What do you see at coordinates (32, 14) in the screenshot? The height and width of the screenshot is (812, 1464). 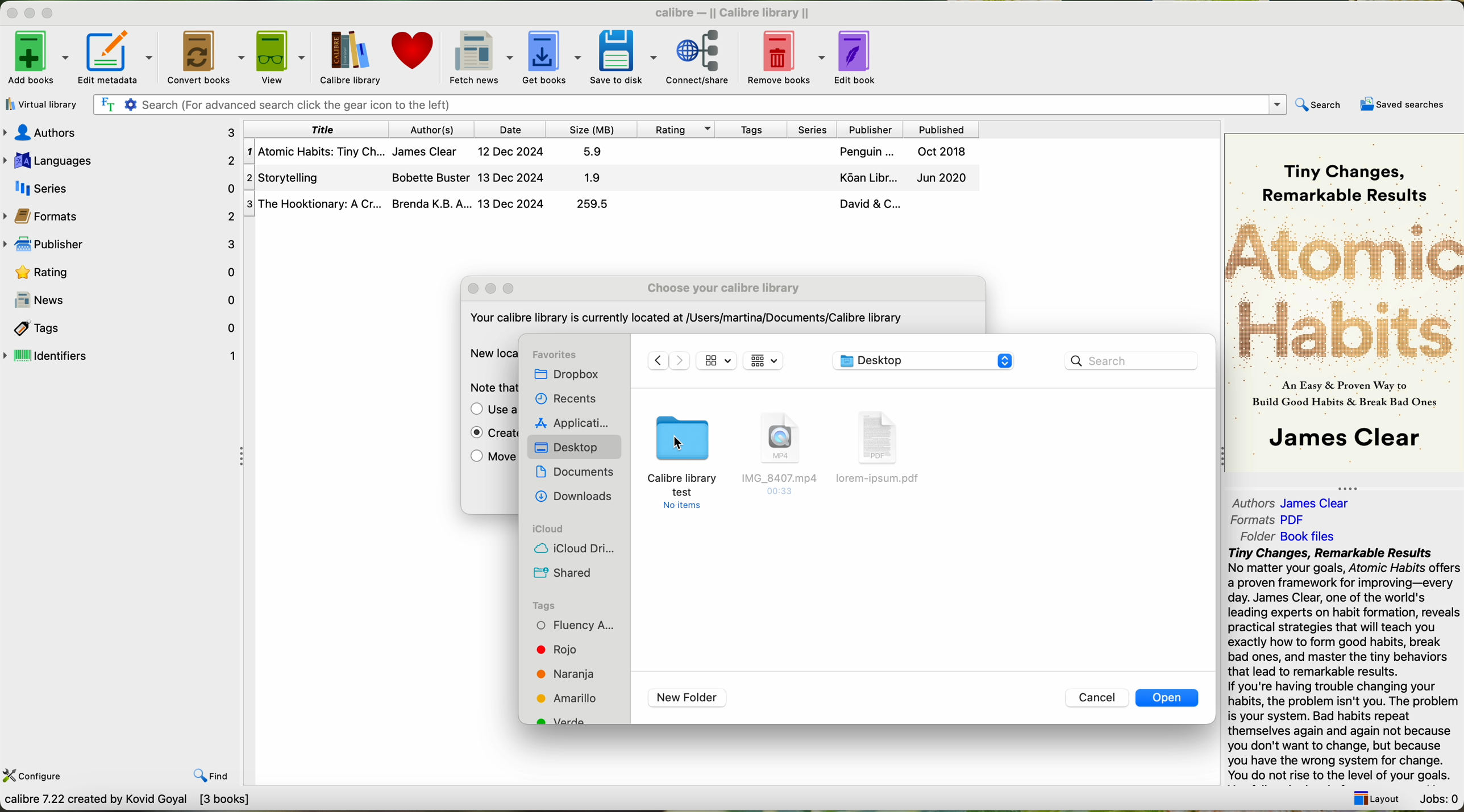 I see `minimize program` at bounding box center [32, 14].